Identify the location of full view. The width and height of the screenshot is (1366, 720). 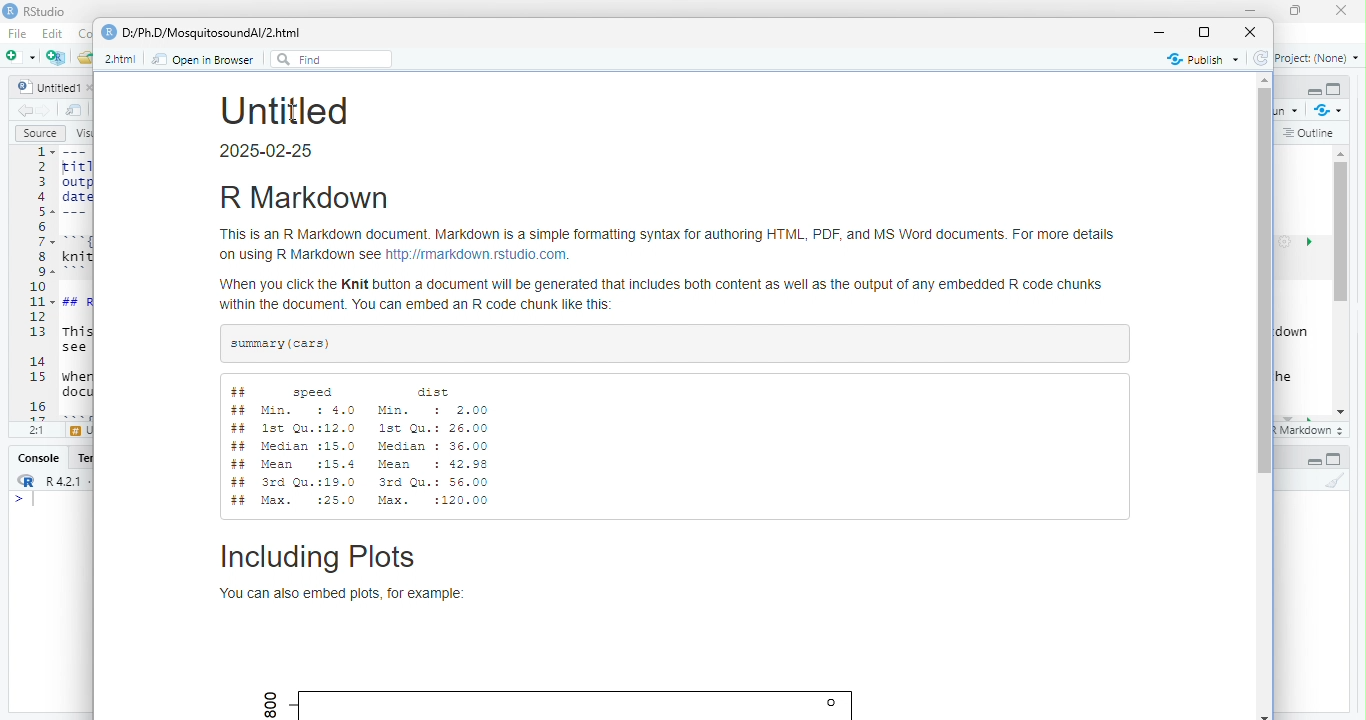
(1334, 89).